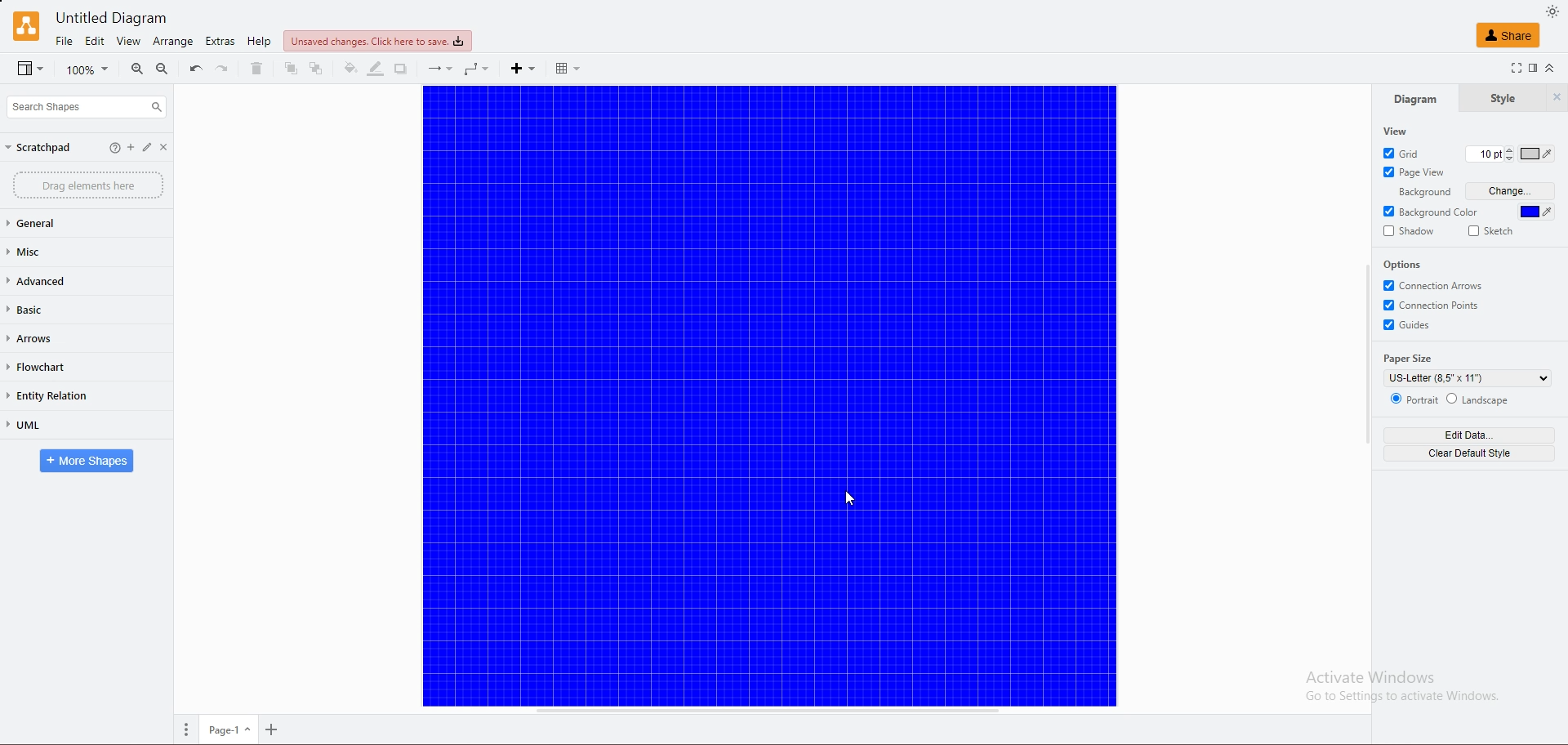  Describe the element at coordinates (86, 106) in the screenshot. I see `search shapes` at that location.